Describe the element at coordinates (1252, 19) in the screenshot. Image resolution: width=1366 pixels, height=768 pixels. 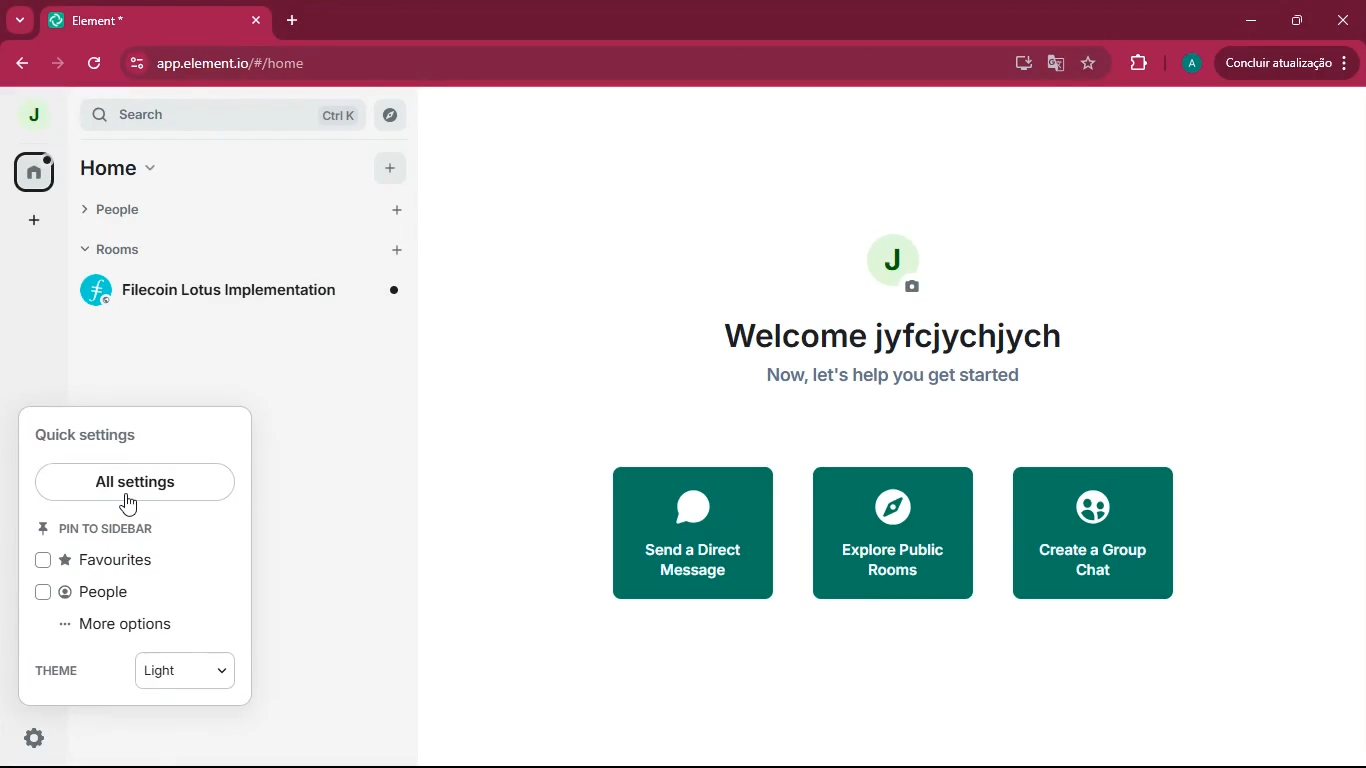
I see `minimize` at that location.